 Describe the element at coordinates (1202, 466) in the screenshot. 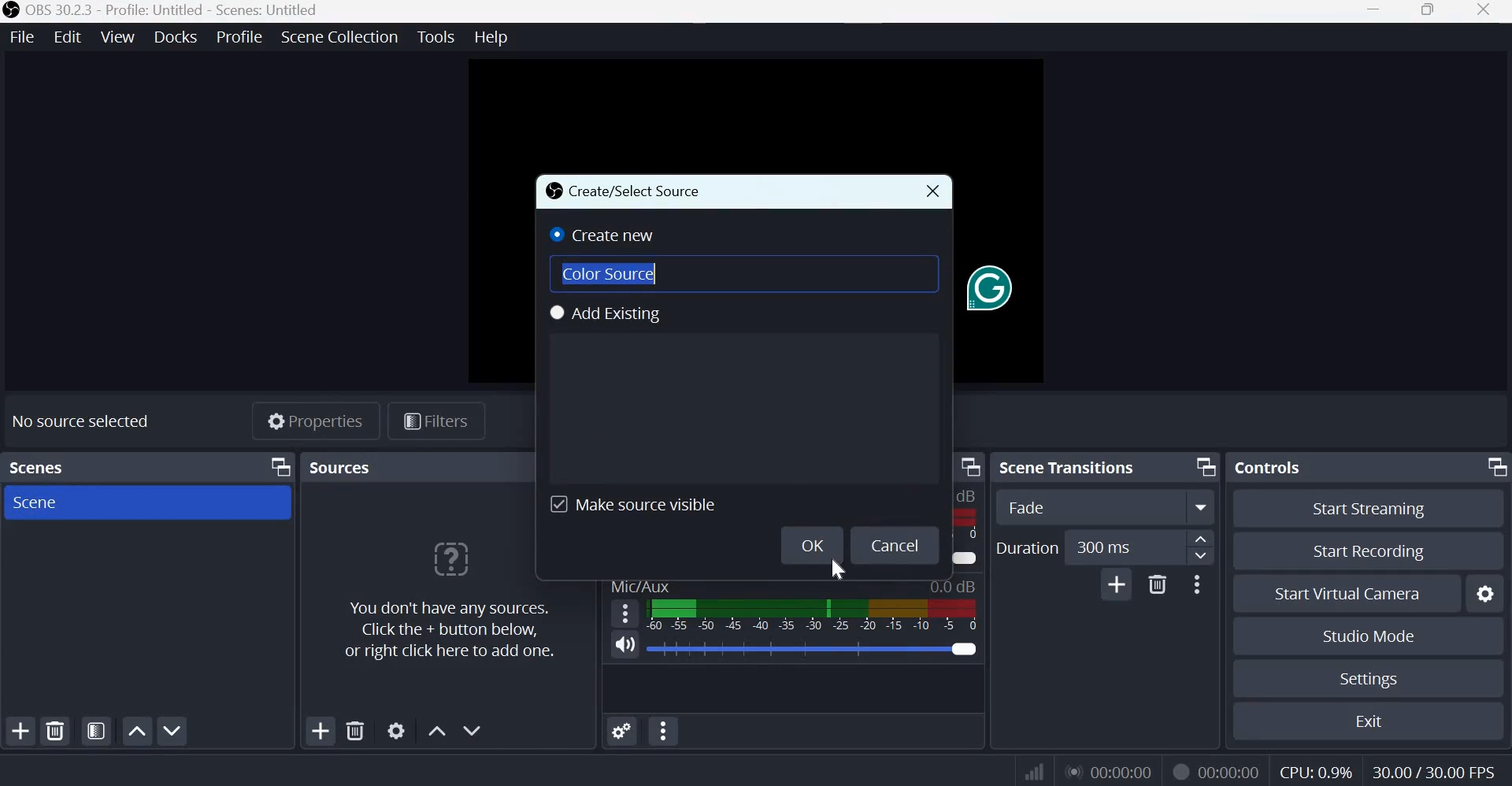

I see `Dock Options icon` at that location.